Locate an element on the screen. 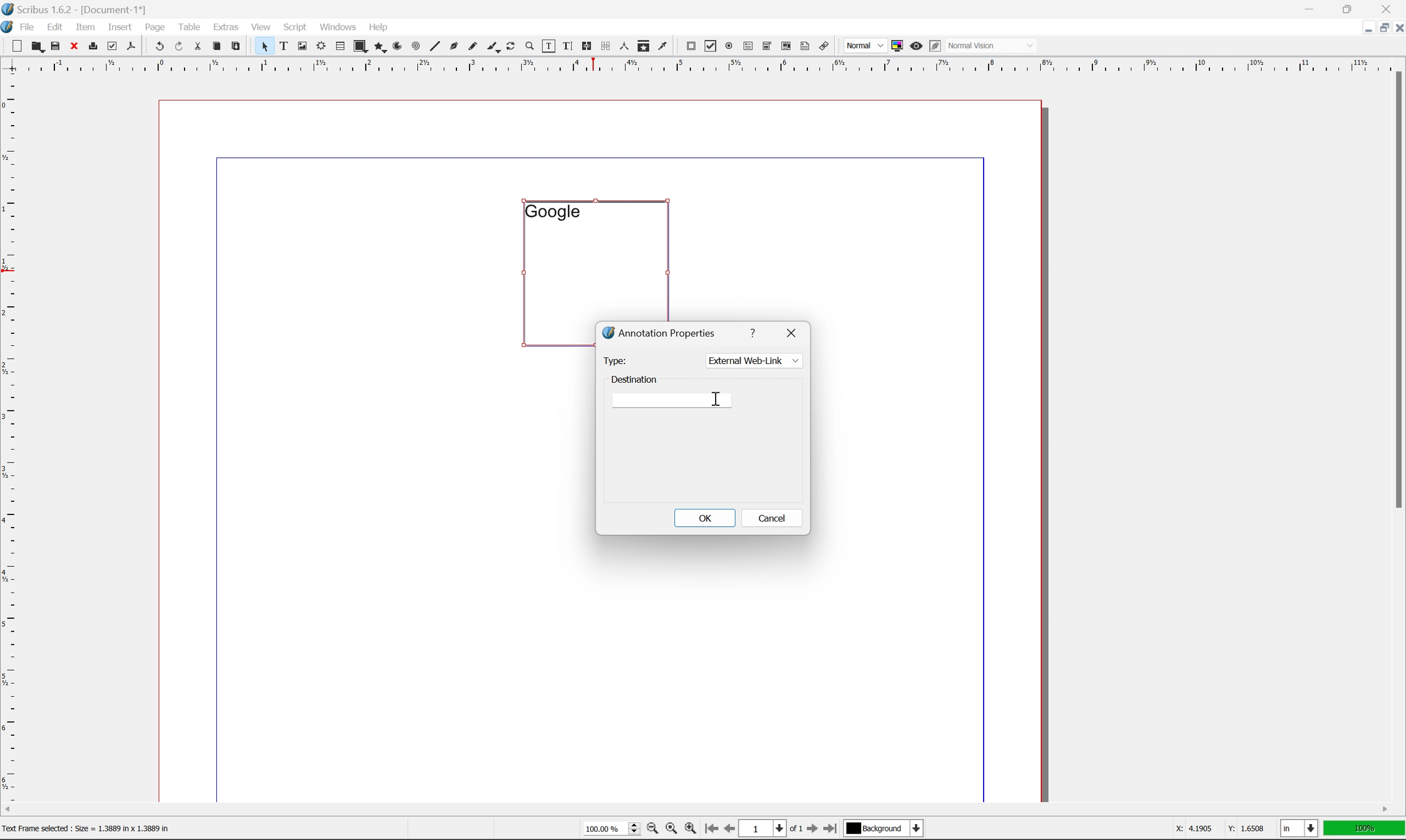 The image size is (1406, 840). arc is located at coordinates (399, 46).